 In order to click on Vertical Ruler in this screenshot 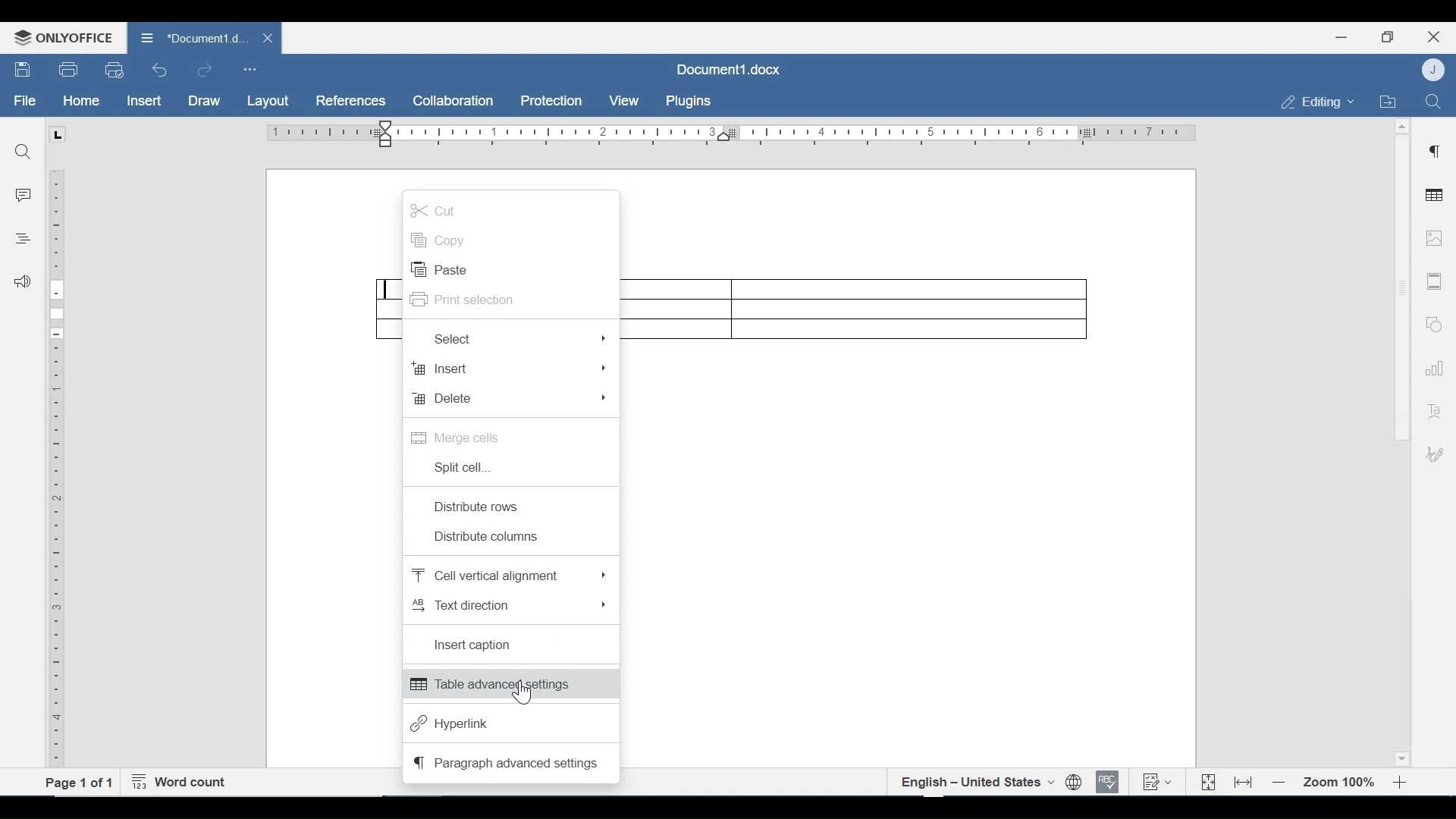, I will do `click(57, 460)`.